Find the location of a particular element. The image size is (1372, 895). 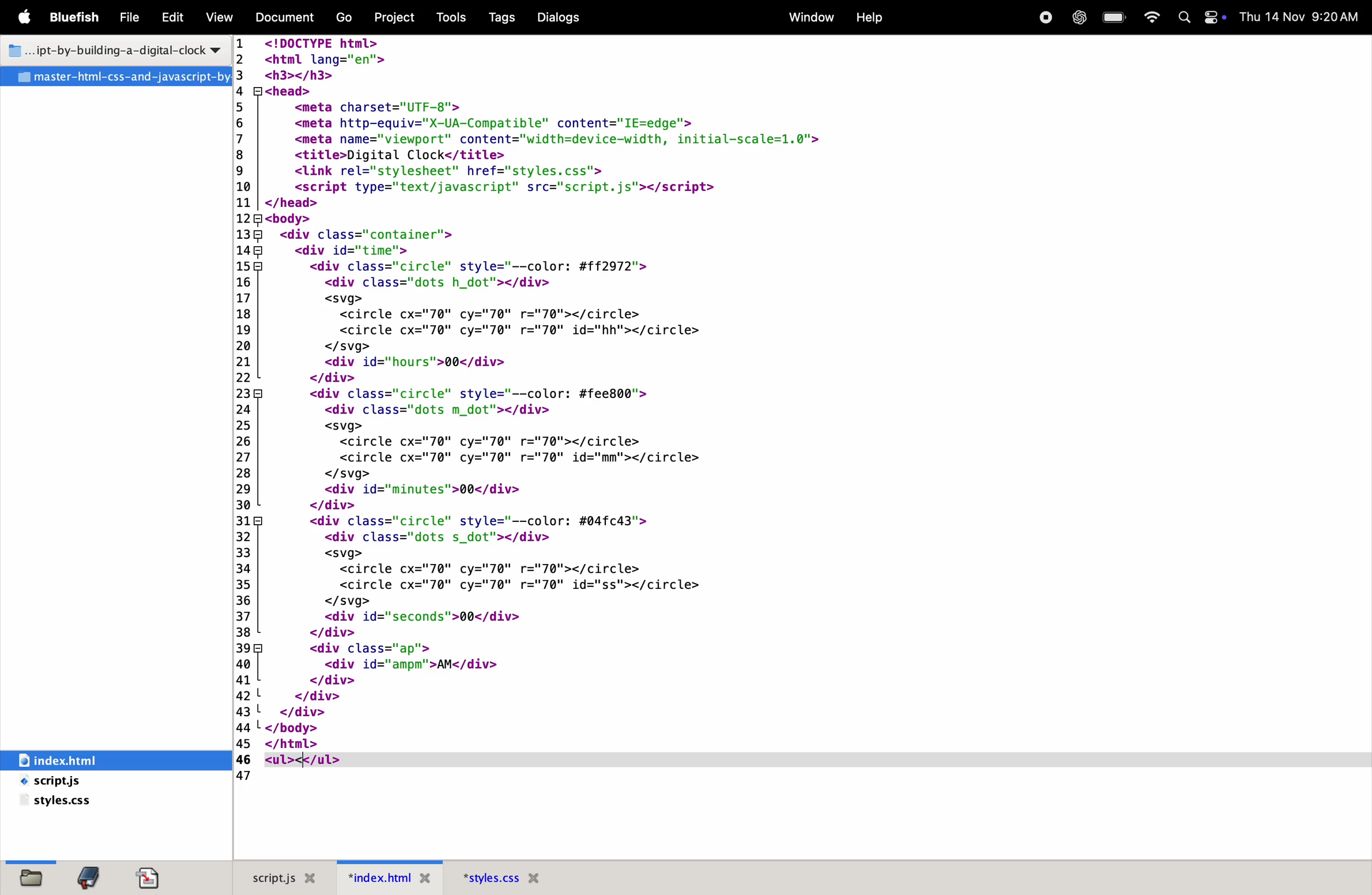

date and time is located at coordinates (1299, 16).